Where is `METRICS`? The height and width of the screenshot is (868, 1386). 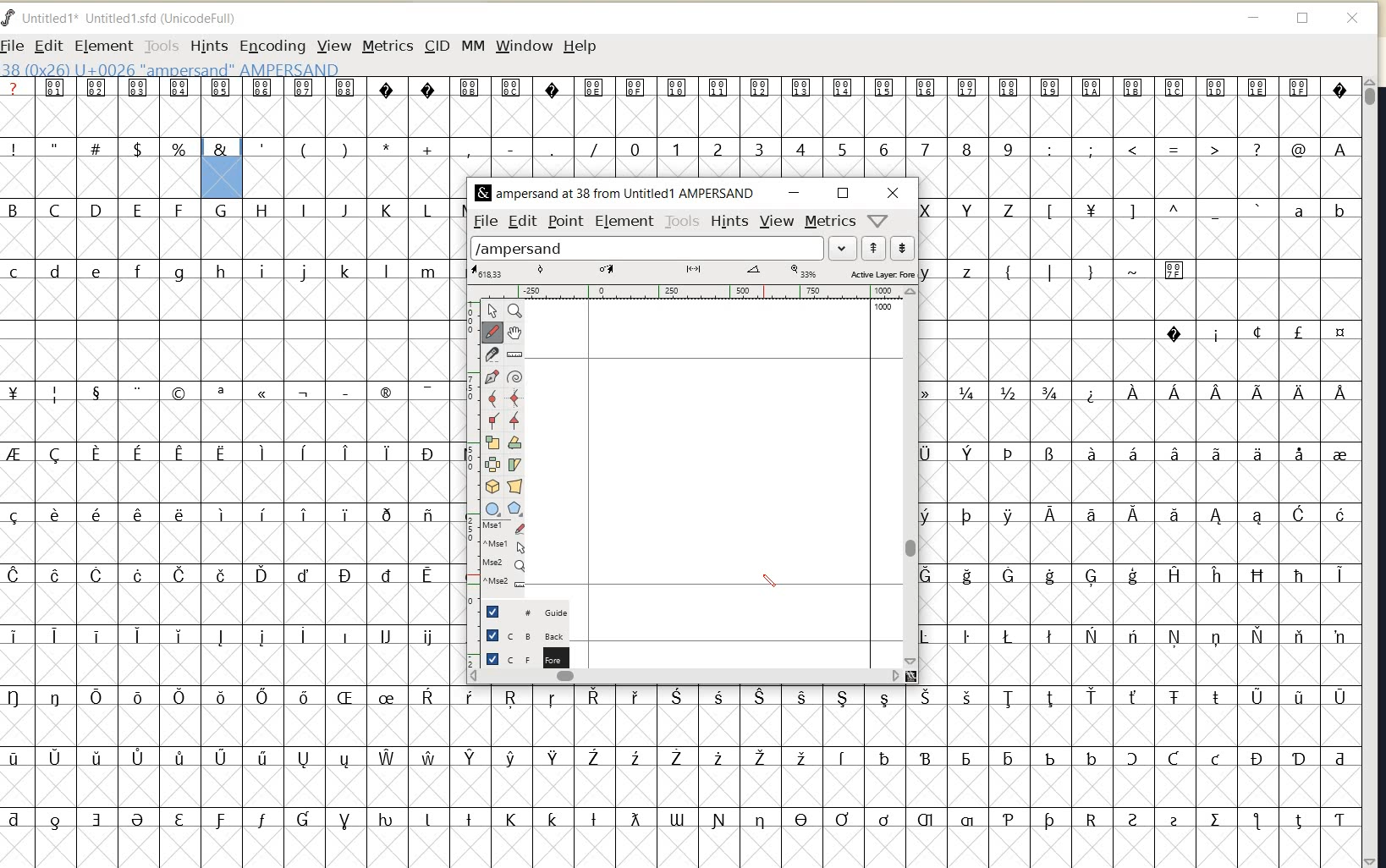
METRICS is located at coordinates (829, 222).